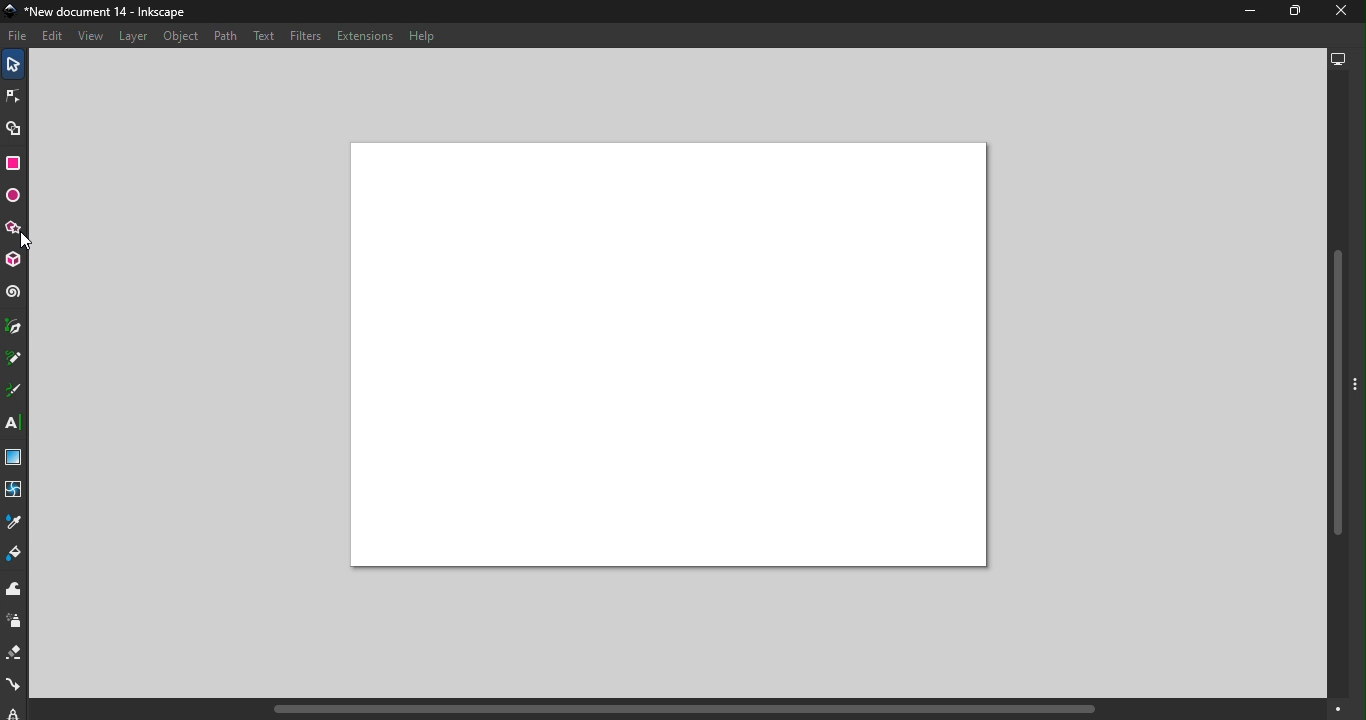 This screenshot has width=1366, height=720. I want to click on Layer, so click(129, 36).